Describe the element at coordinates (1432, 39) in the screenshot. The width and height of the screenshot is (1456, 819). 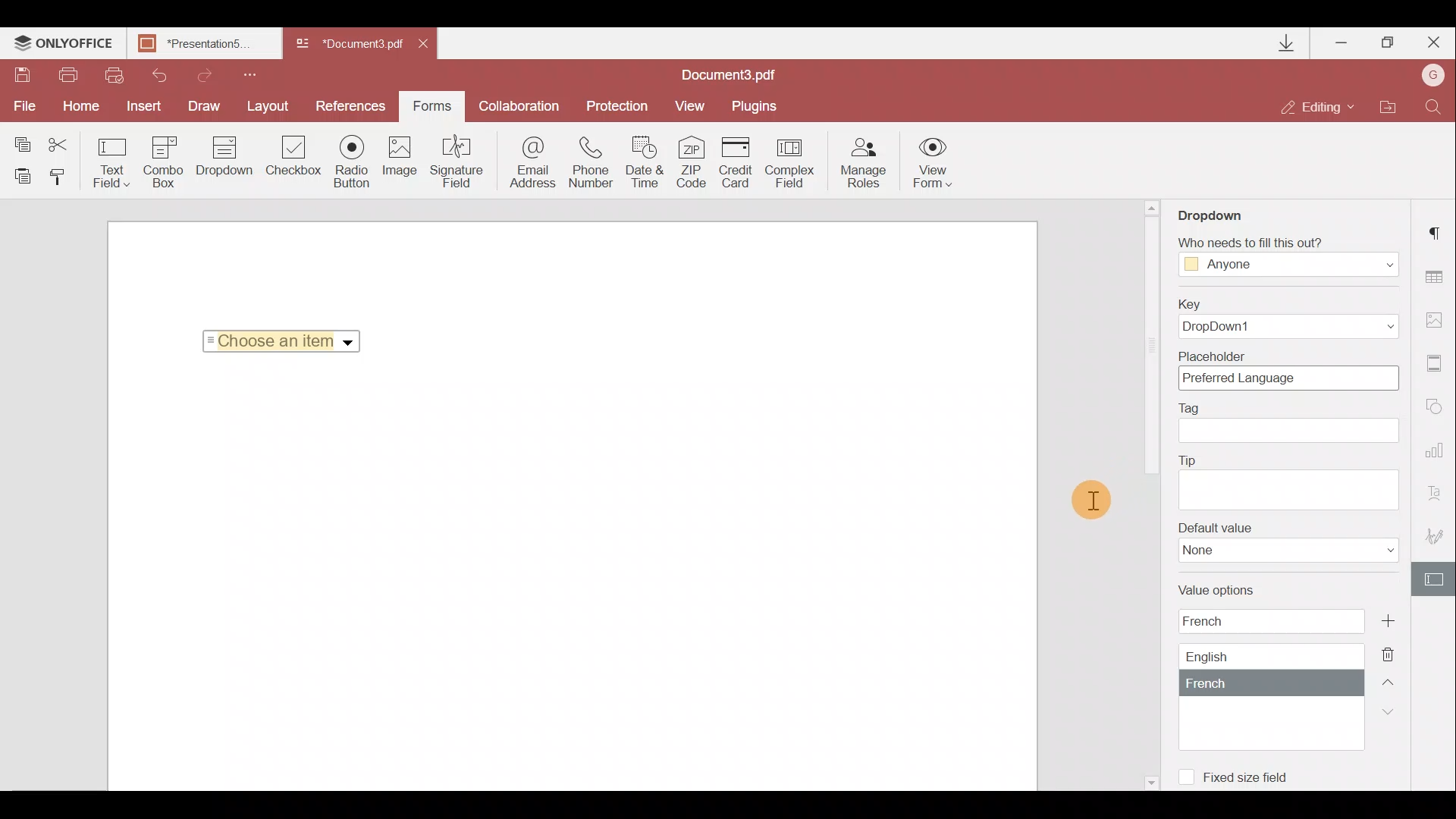
I see `Close` at that location.